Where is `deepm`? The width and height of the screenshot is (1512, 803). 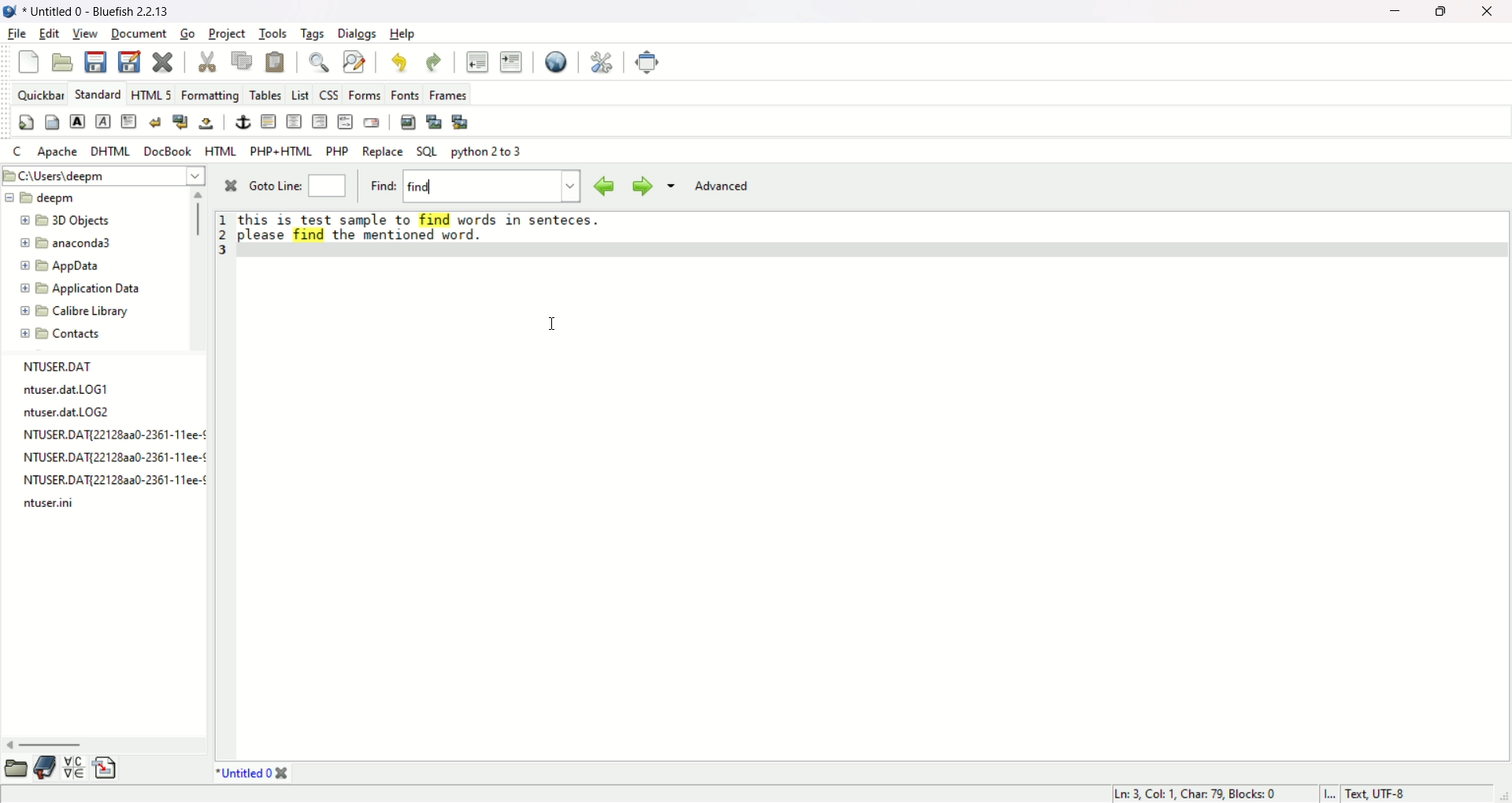 deepm is located at coordinates (44, 198).